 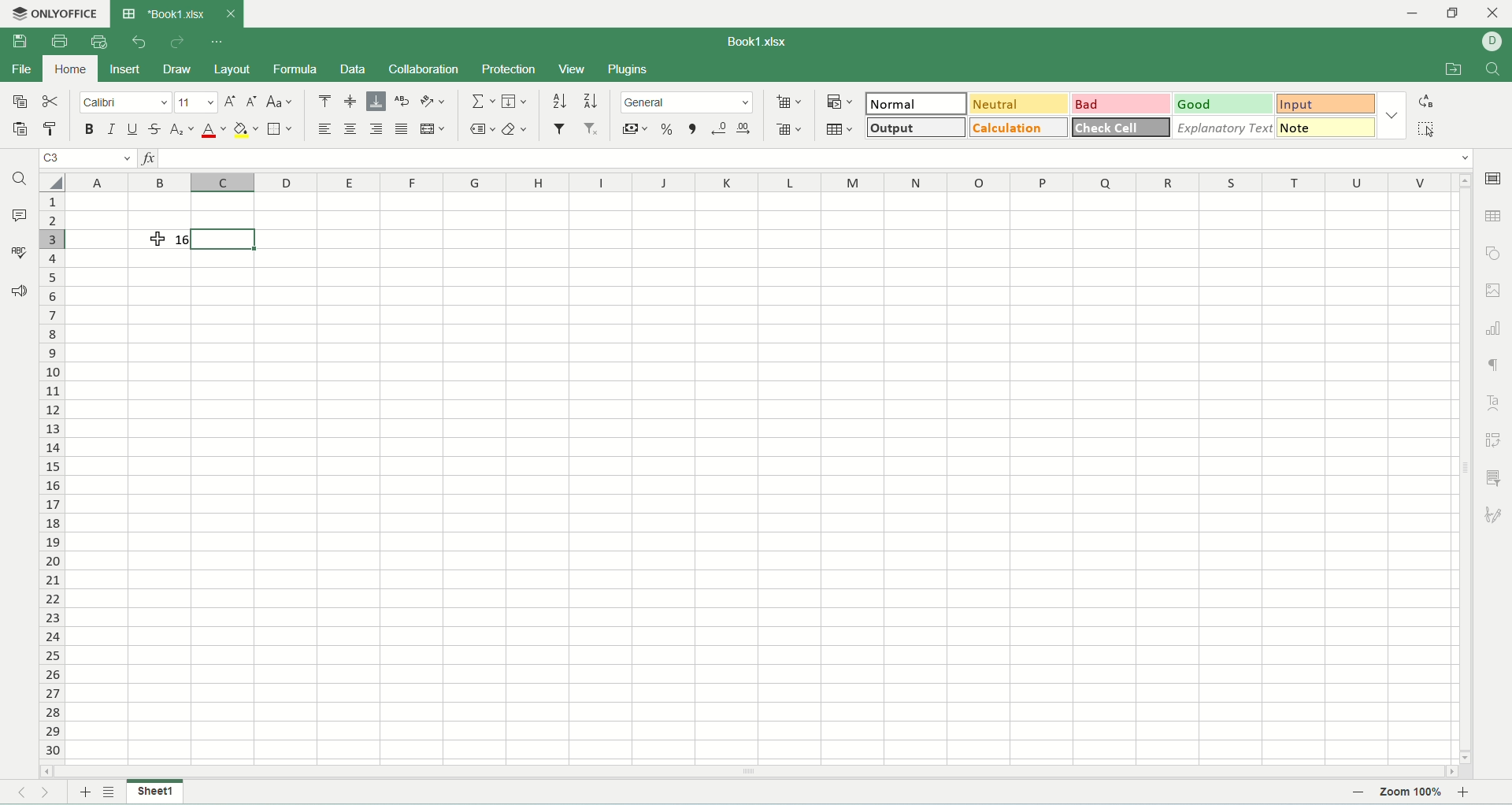 What do you see at coordinates (1495, 288) in the screenshot?
I see `image setting` at bounding box center [1495, 288].